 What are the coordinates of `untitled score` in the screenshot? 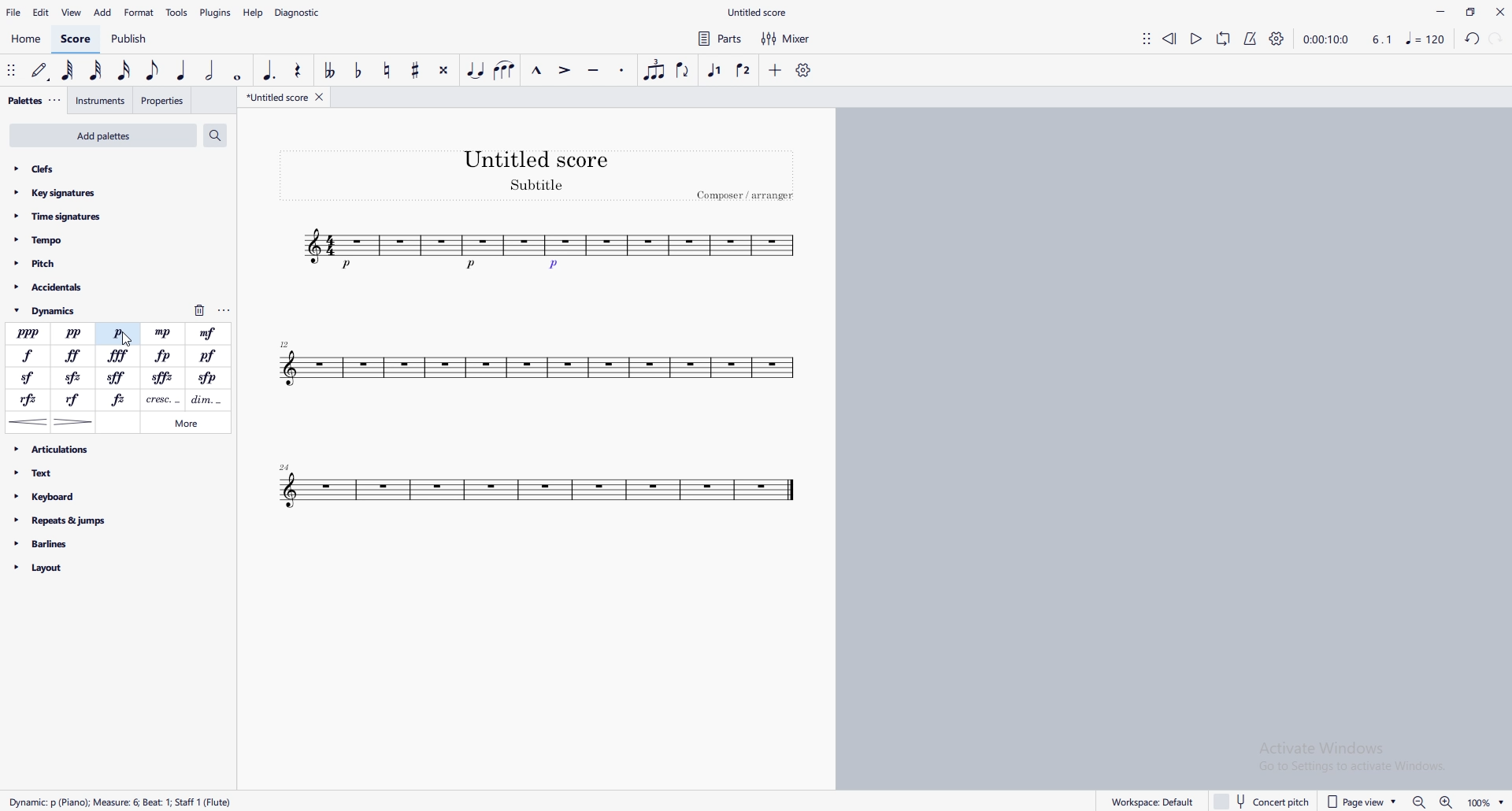 It's located at (278, 98).